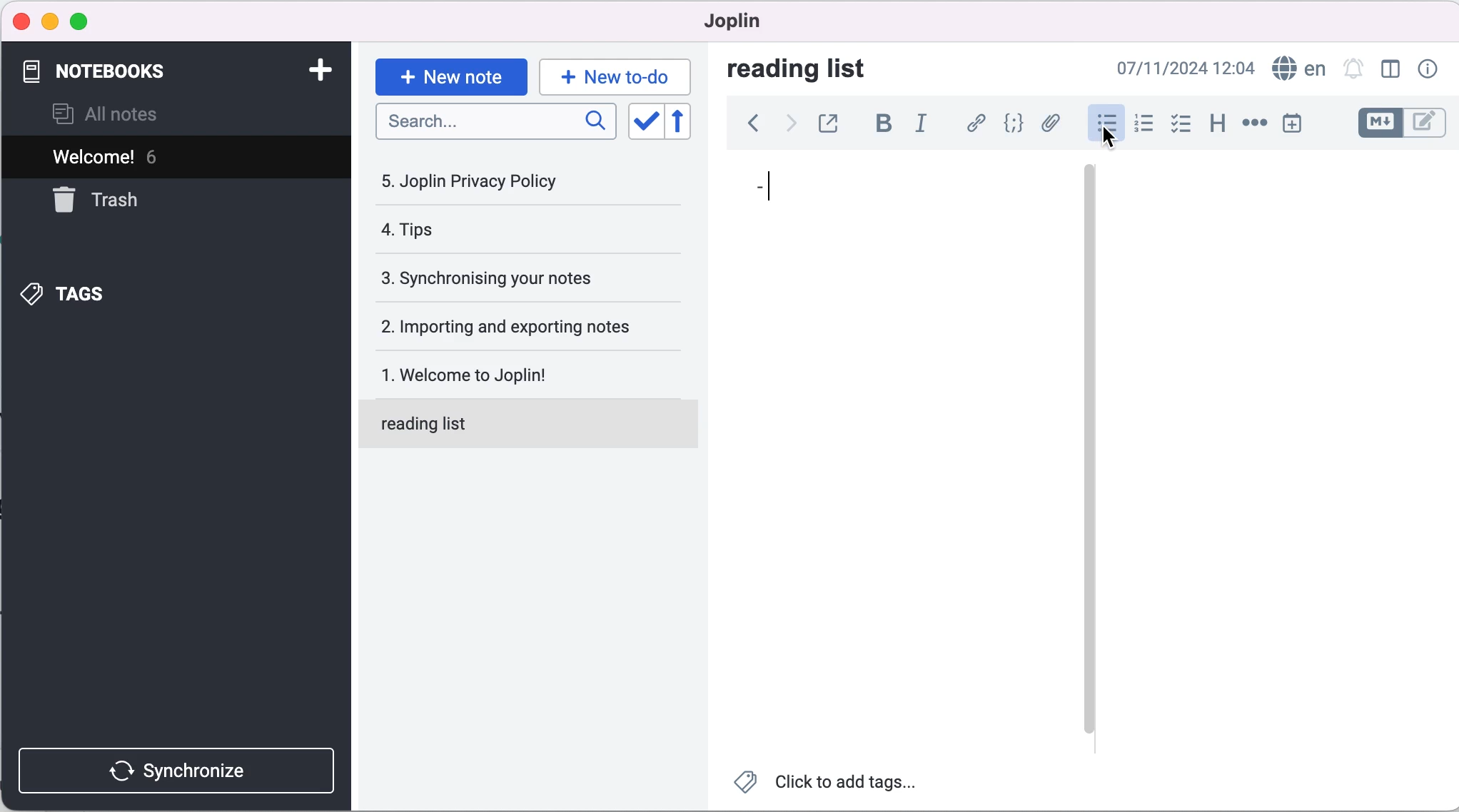 This screenshot has height=812, width=1459. What do you see at coordinates (617, 74) in the screenshot?
I see `new to-do` at bounding box center [617, 74].